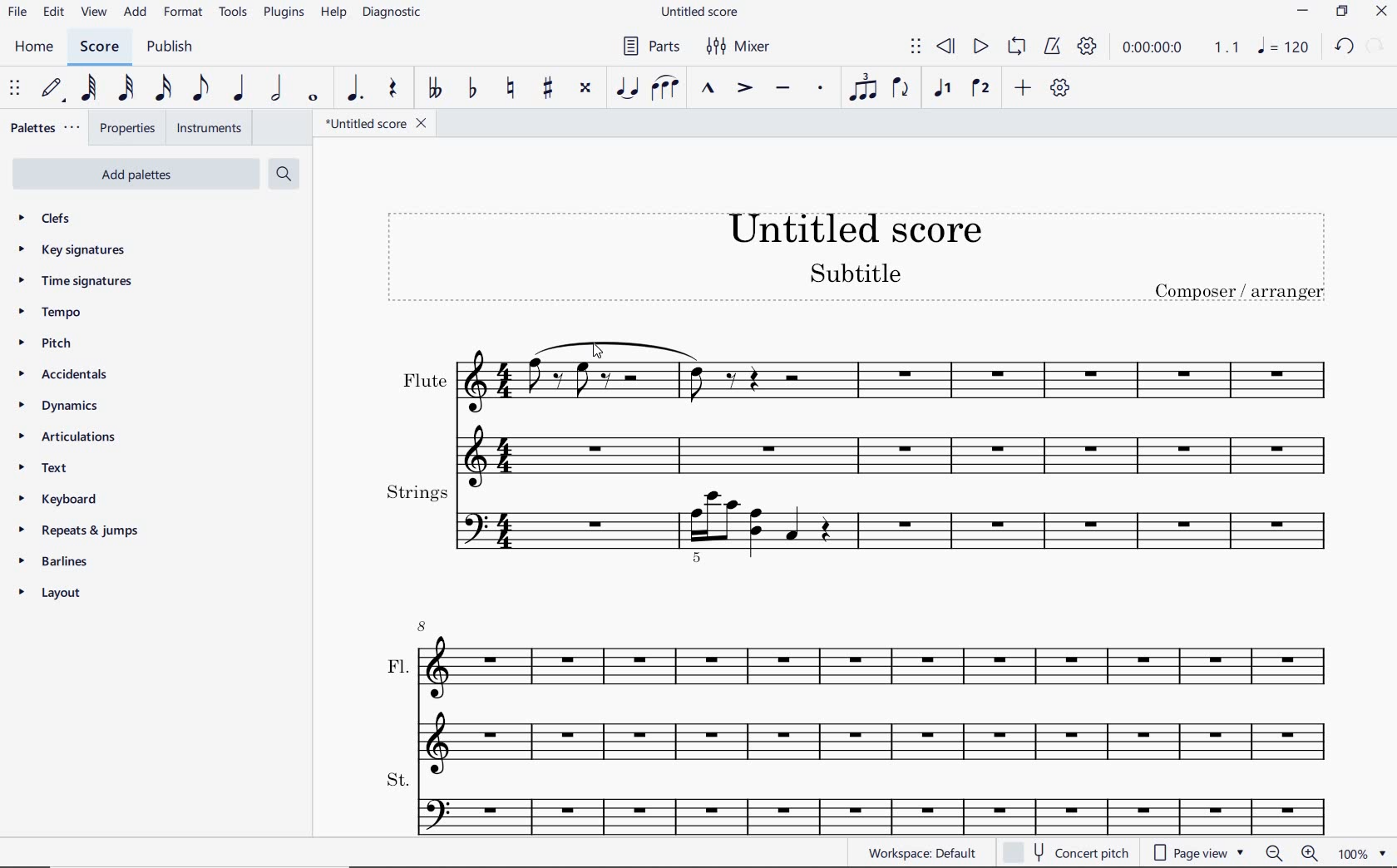  What do you see at coordinates (163, 89) in the screenshot?
I see `16TH NOTE` at bounding box center [163, 89].